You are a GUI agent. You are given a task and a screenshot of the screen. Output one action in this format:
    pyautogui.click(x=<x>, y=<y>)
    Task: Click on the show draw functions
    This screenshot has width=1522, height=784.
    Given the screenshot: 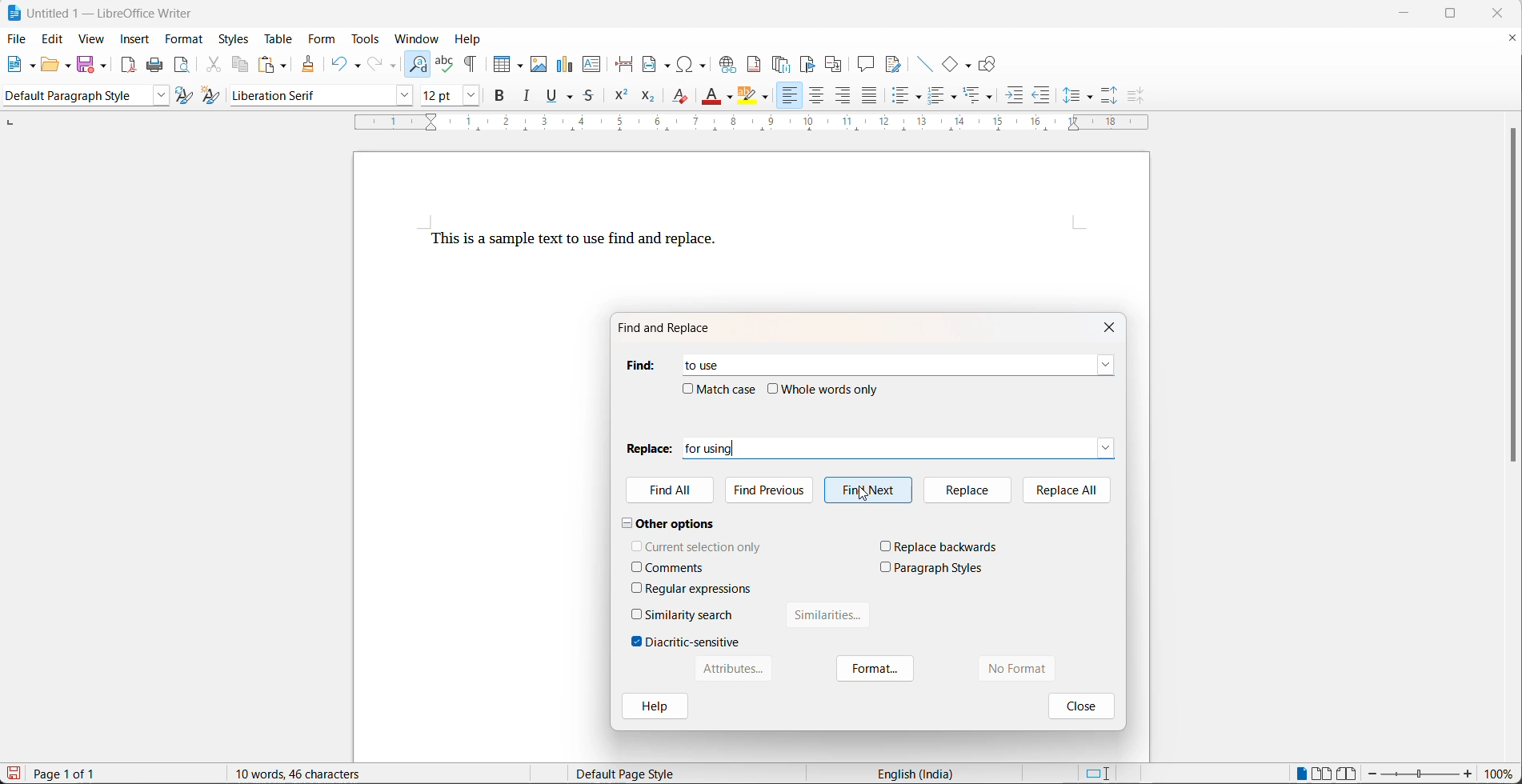 What is the action you would take?
    pyautogui.click(x=989, y=64)
    